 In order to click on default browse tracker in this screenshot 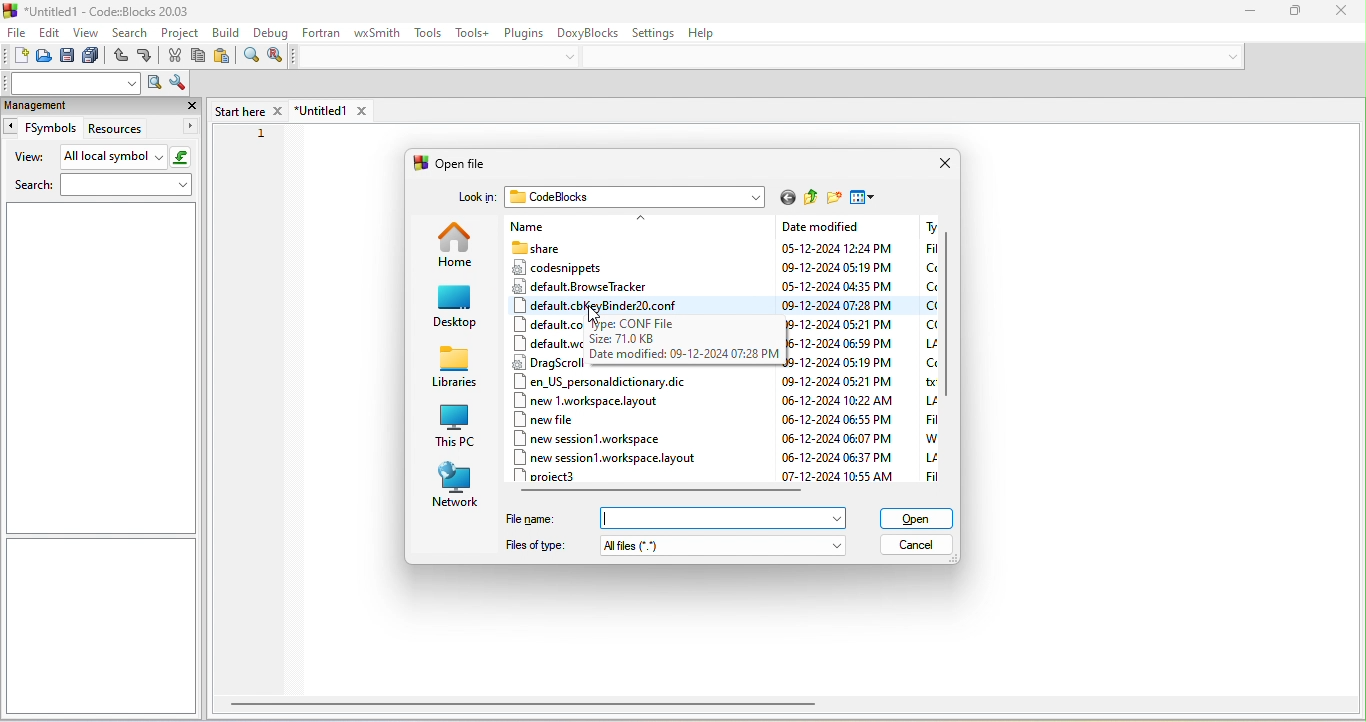, I will do `click(606, 288)`.